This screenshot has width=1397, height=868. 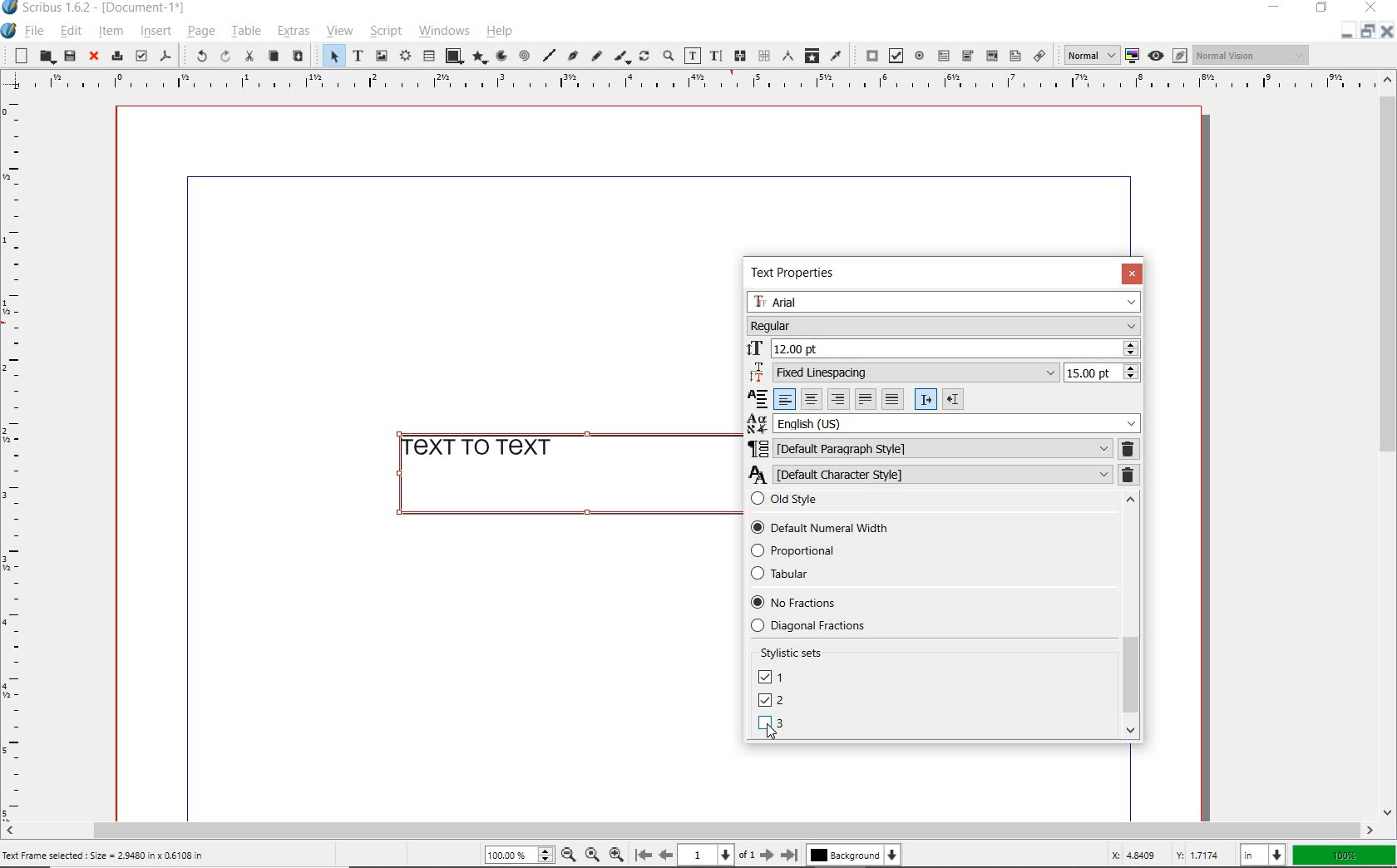 What do you see at coordinates (664, 855) in the screenshot?
I see `Previous page` at bounding box center [664, 855].